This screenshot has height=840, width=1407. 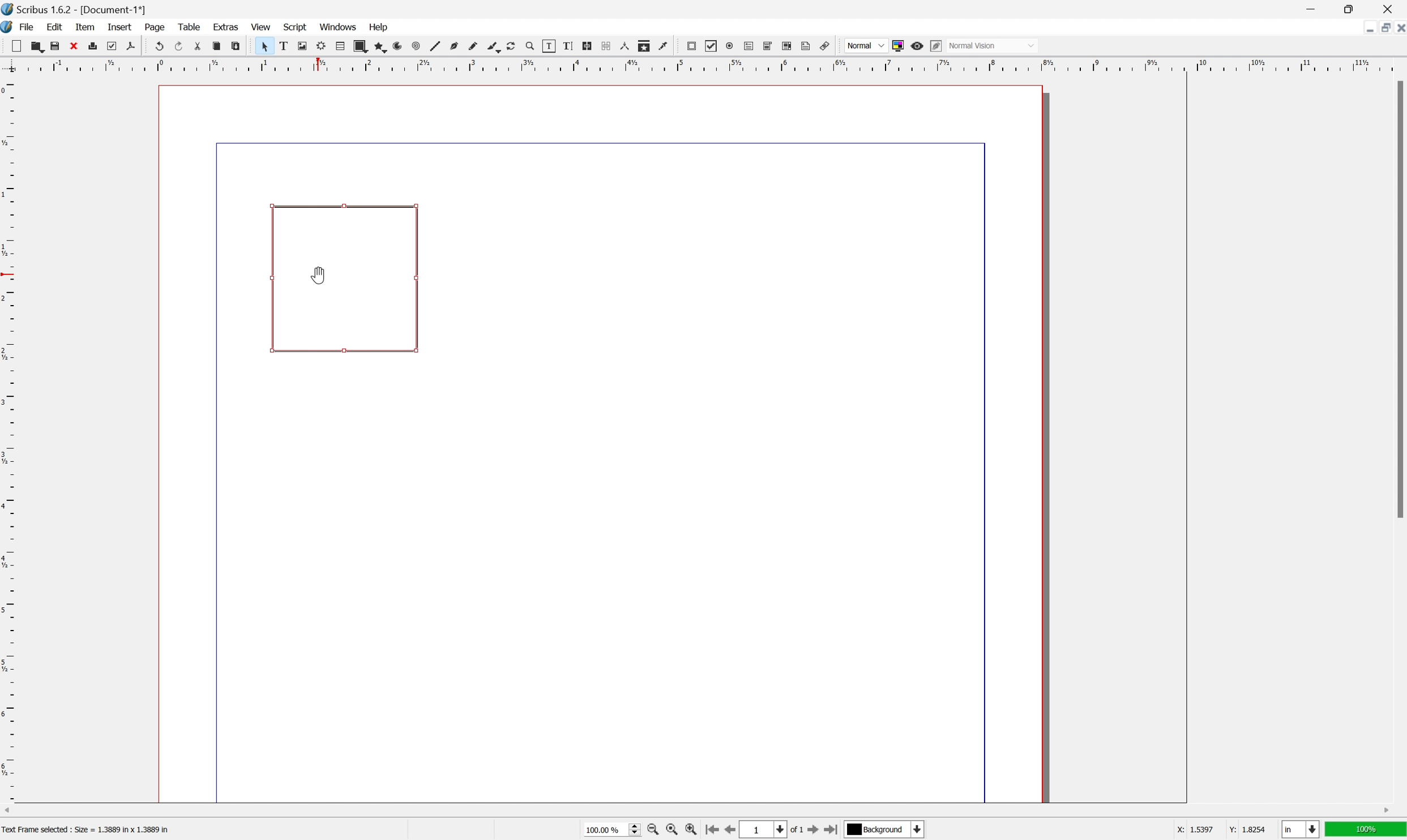 What do you see at coordinates (160, 47) in the screenshot?
I see `undo` at bounding box center [160, 47].